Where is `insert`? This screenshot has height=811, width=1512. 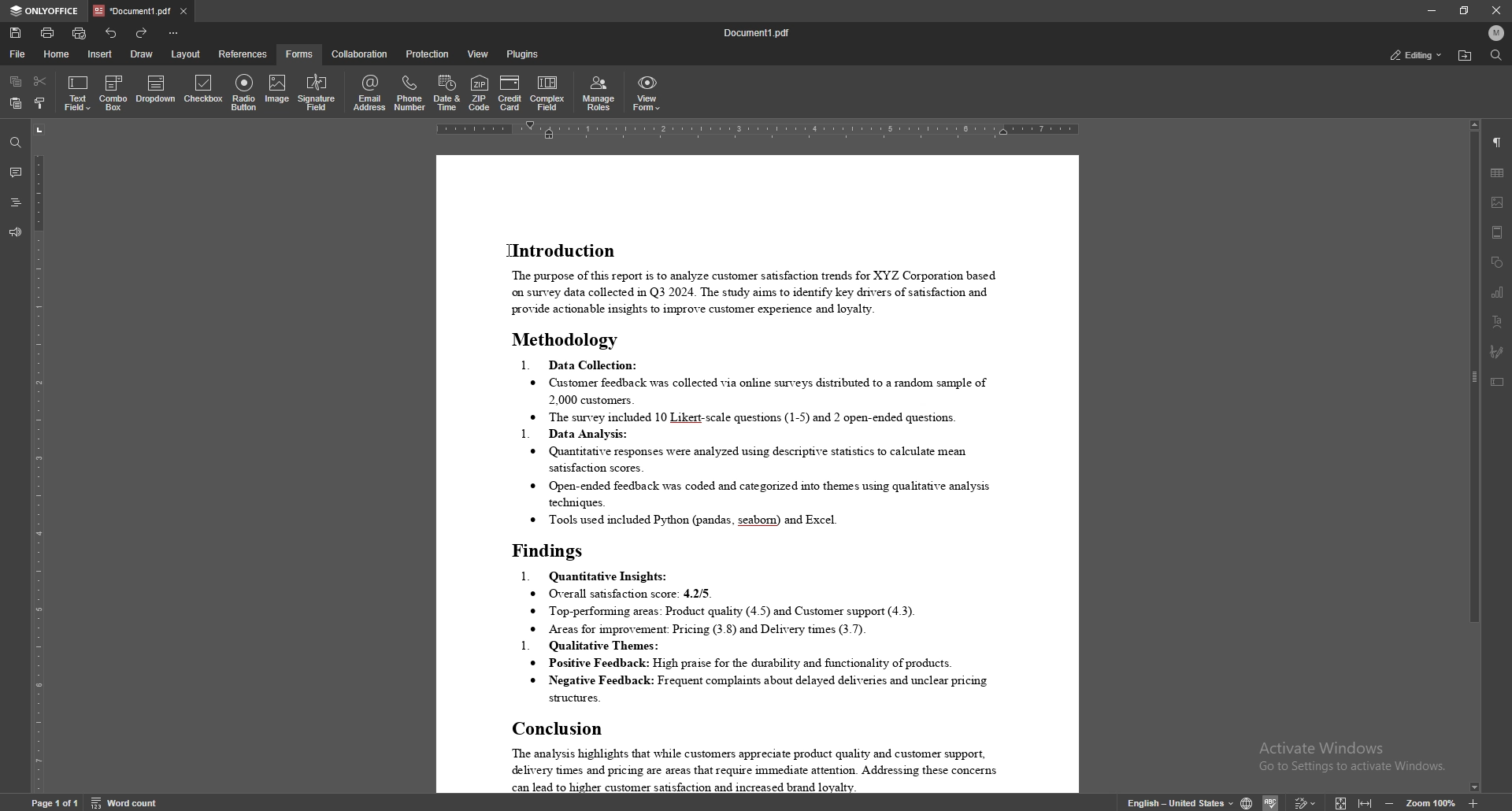
insert is located at coordinates (100, 55).